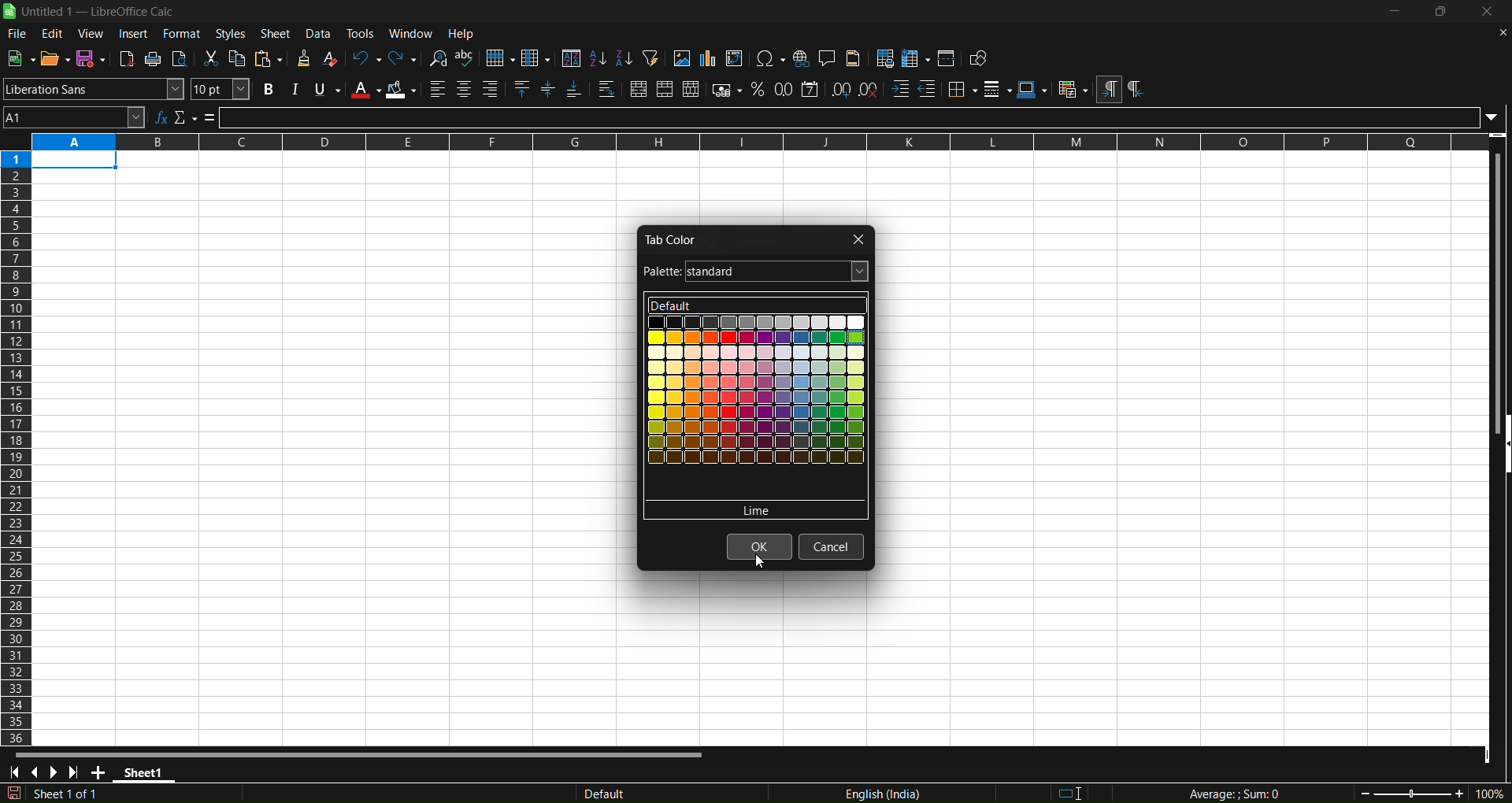 Image resolution: width=1512 pixels, height=803 pixels. What do you see at coordinates (1108, 90) in the screenshot?
I see `left to right` at bounding box center [1108, 90].